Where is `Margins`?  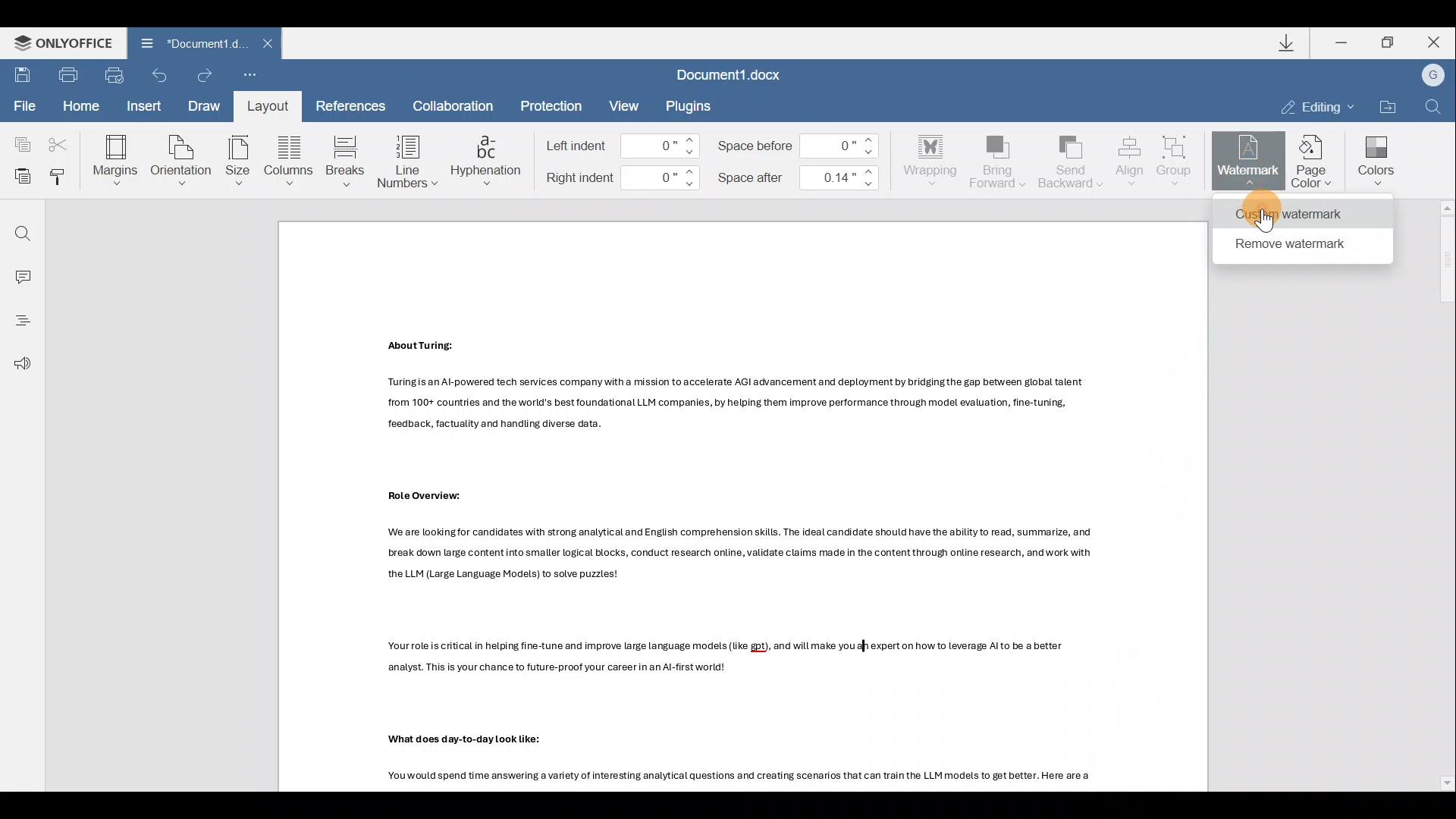 Margins is located at coordinates (118, 157).